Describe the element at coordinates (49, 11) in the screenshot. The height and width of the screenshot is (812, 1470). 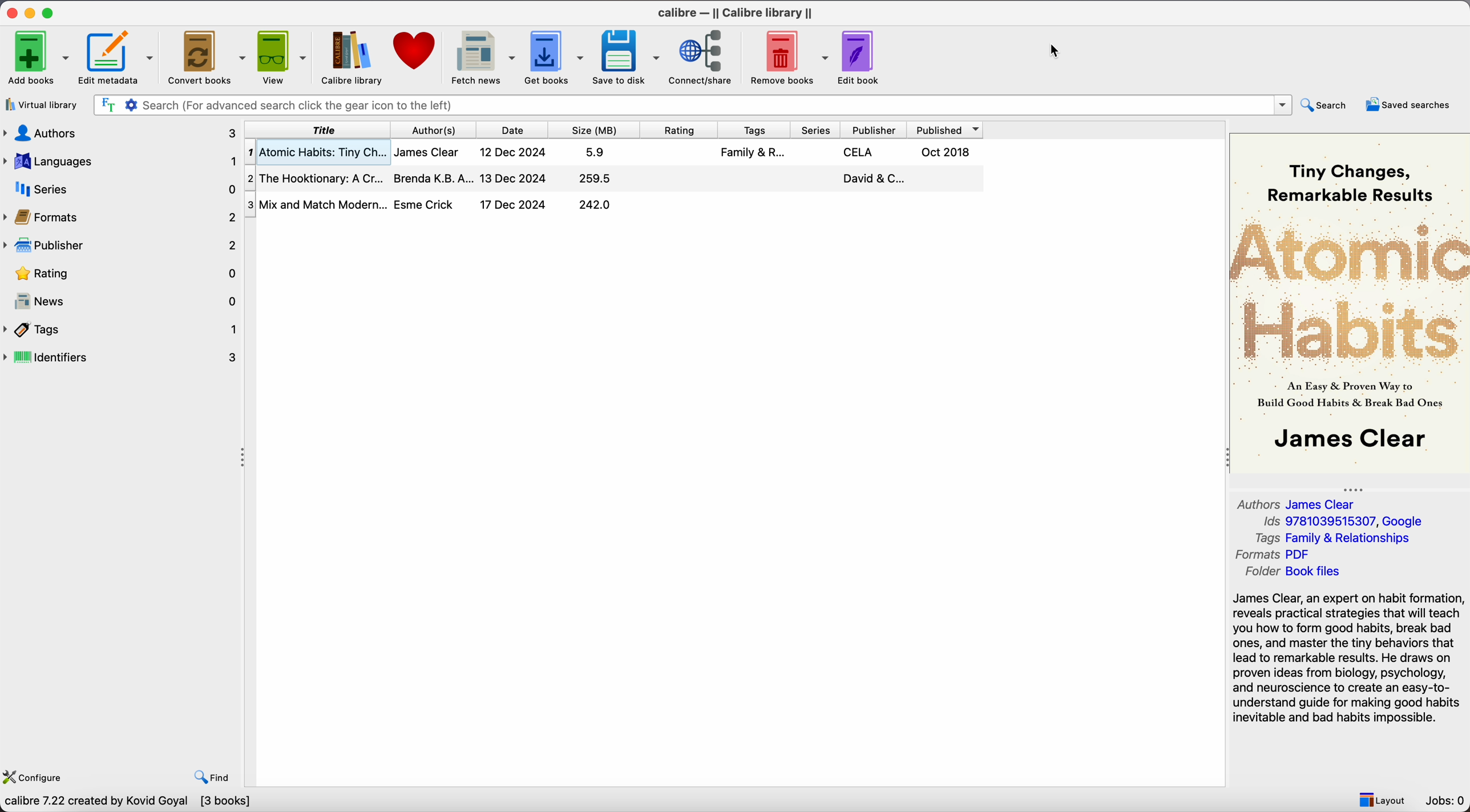
I see `maximize` at that location.